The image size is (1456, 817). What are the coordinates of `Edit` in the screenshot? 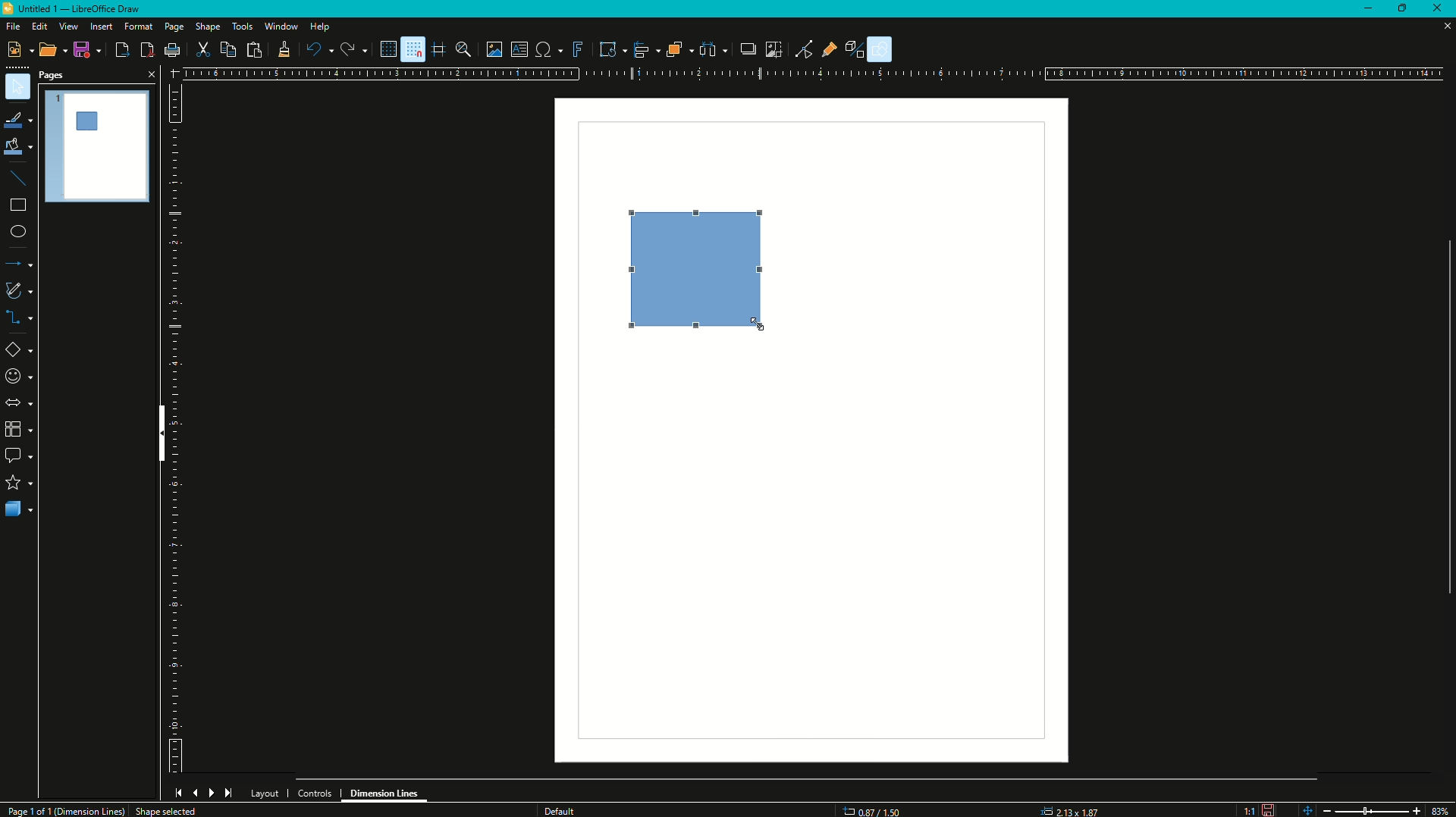 It's located at (39, 27).